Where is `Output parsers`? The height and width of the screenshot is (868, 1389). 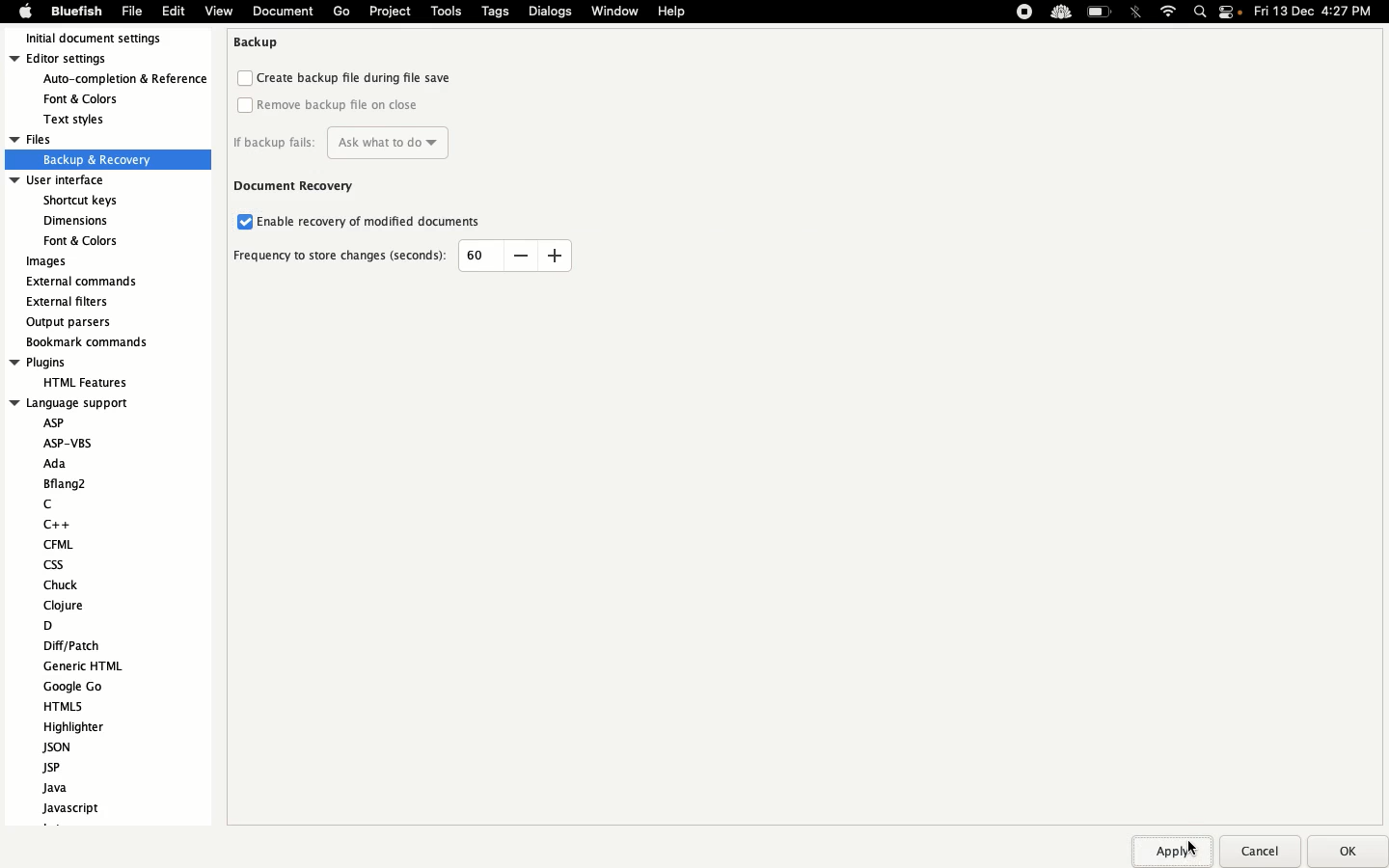
Output parsers is located at coordinates (70, 324).